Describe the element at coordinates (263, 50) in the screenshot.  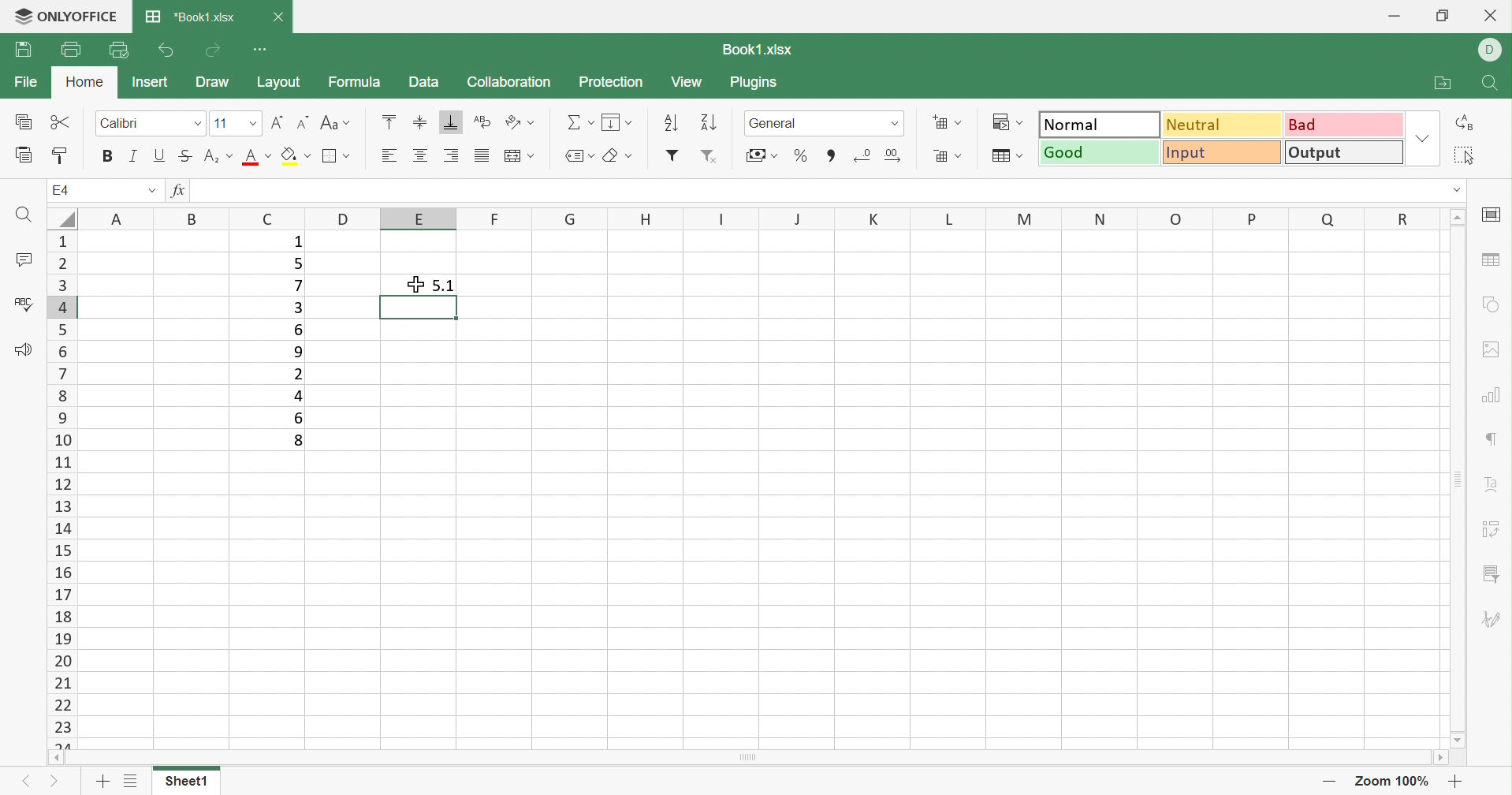
I see `Customize Quick Access Toolbar` at that location.